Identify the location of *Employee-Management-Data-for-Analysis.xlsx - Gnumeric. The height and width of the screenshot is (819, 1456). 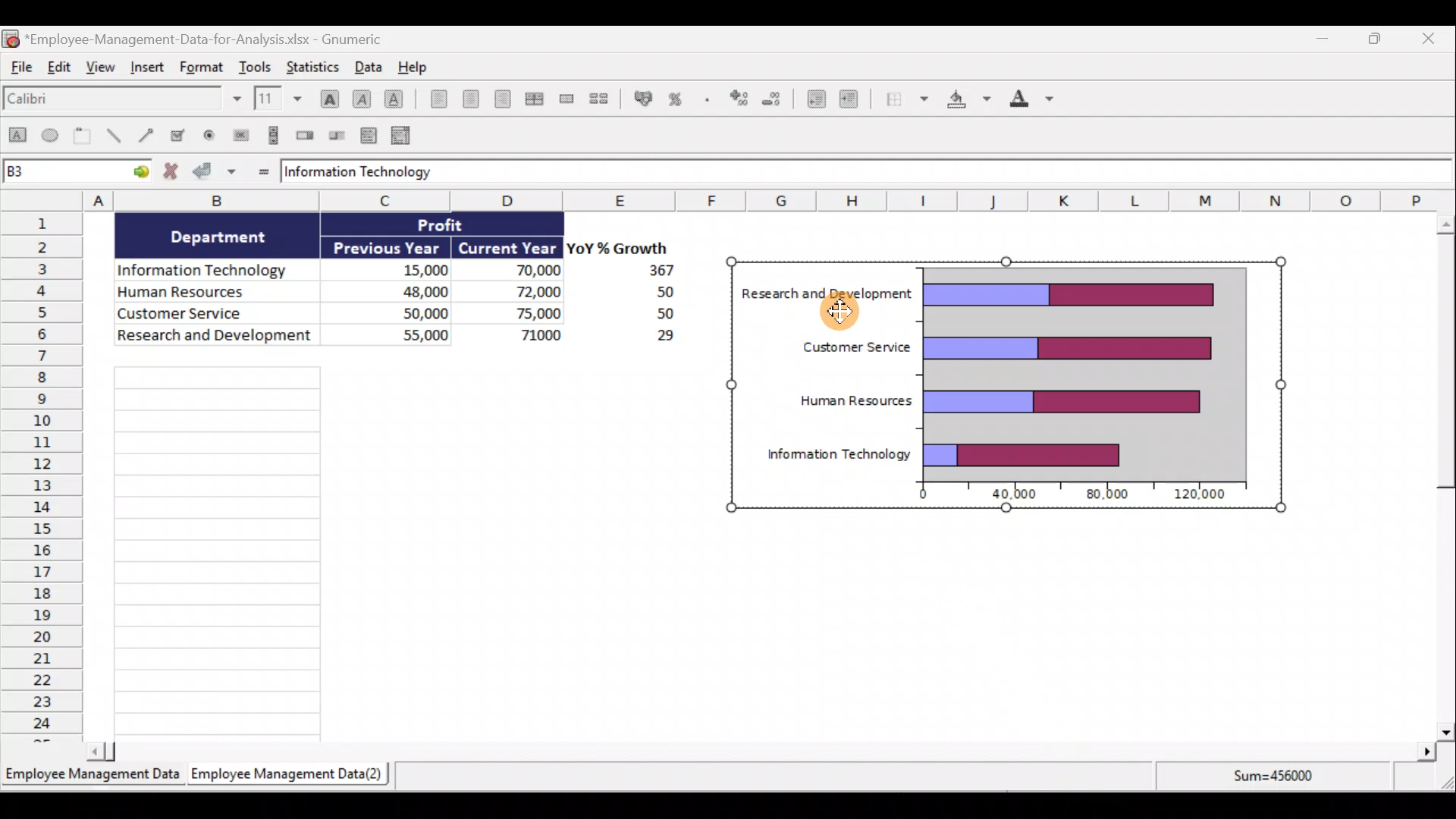
(214, 39).